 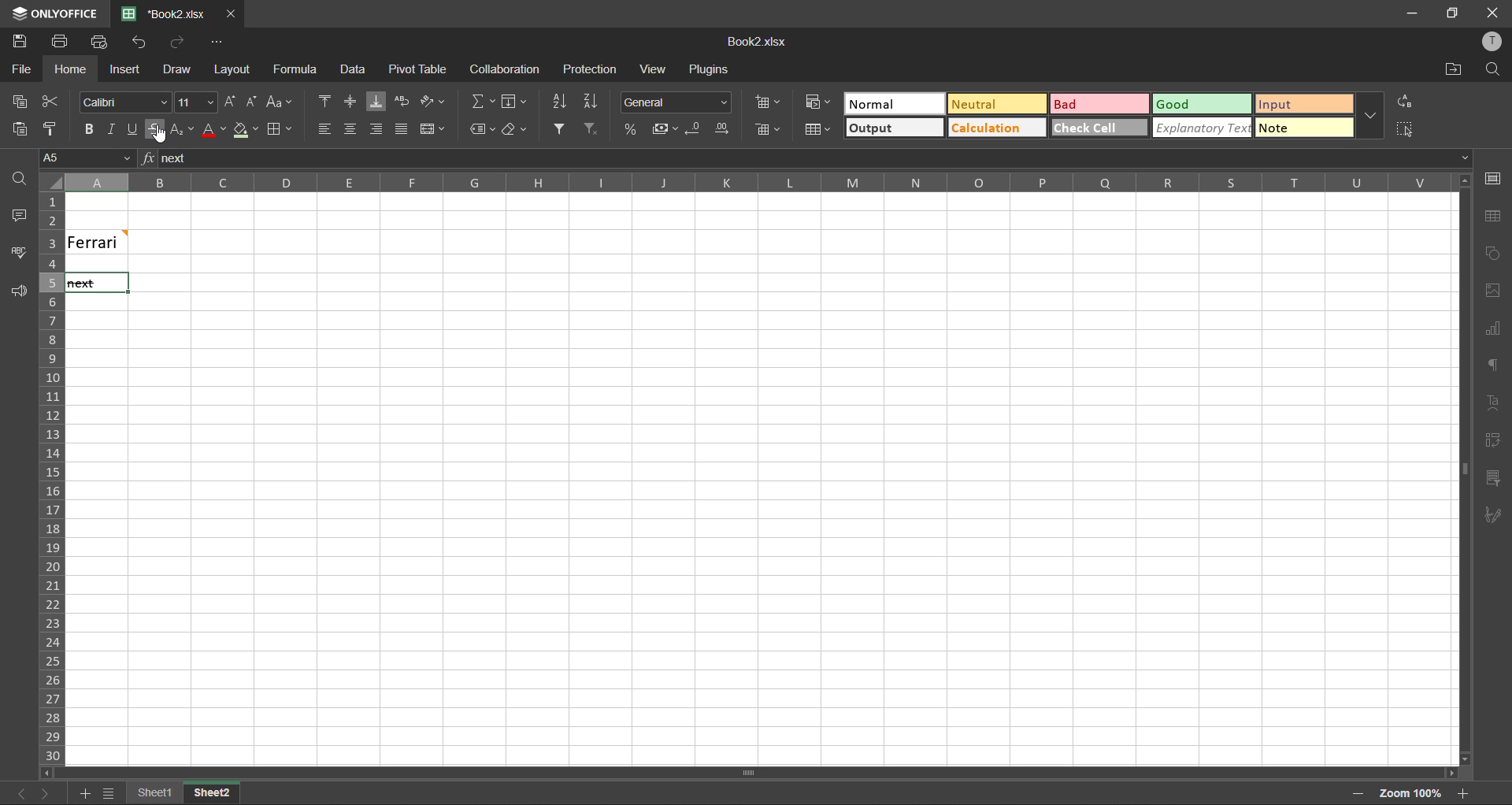 I want to click on accounting, so click(x=664, y=129).